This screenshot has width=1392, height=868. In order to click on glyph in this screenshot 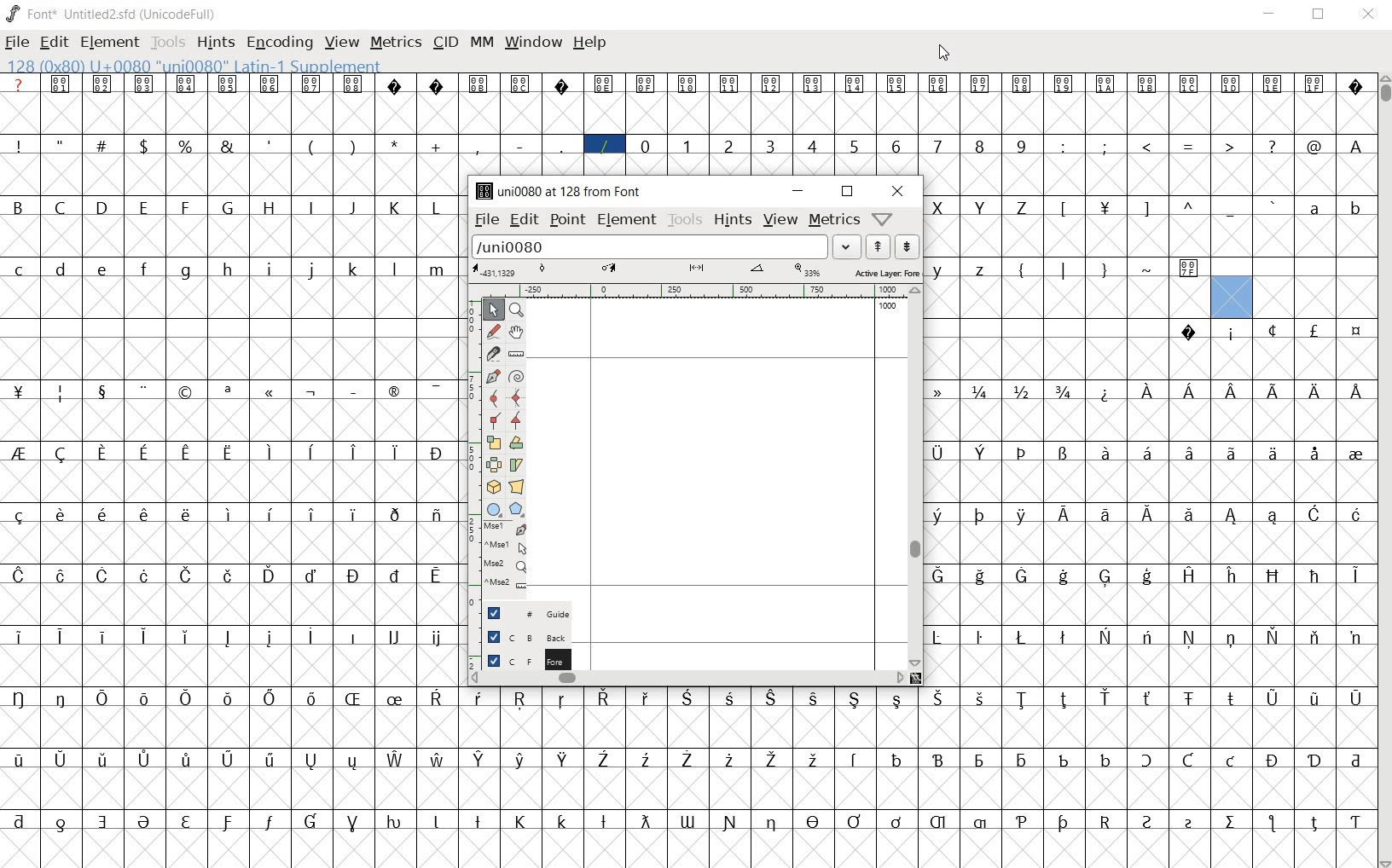, I will do `click(645, 84)`.